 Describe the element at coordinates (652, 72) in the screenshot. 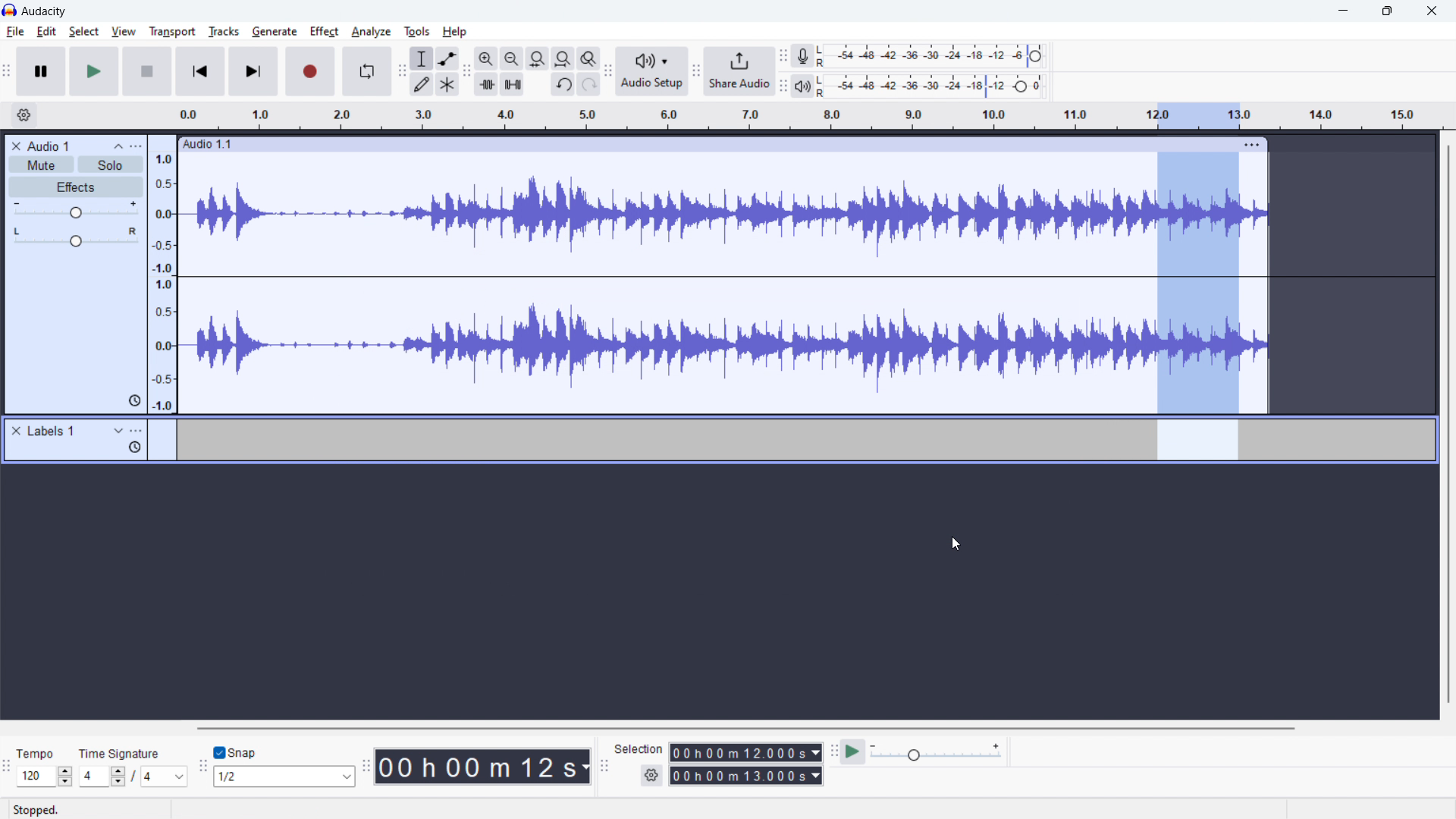

I see `audio setup` at that location.